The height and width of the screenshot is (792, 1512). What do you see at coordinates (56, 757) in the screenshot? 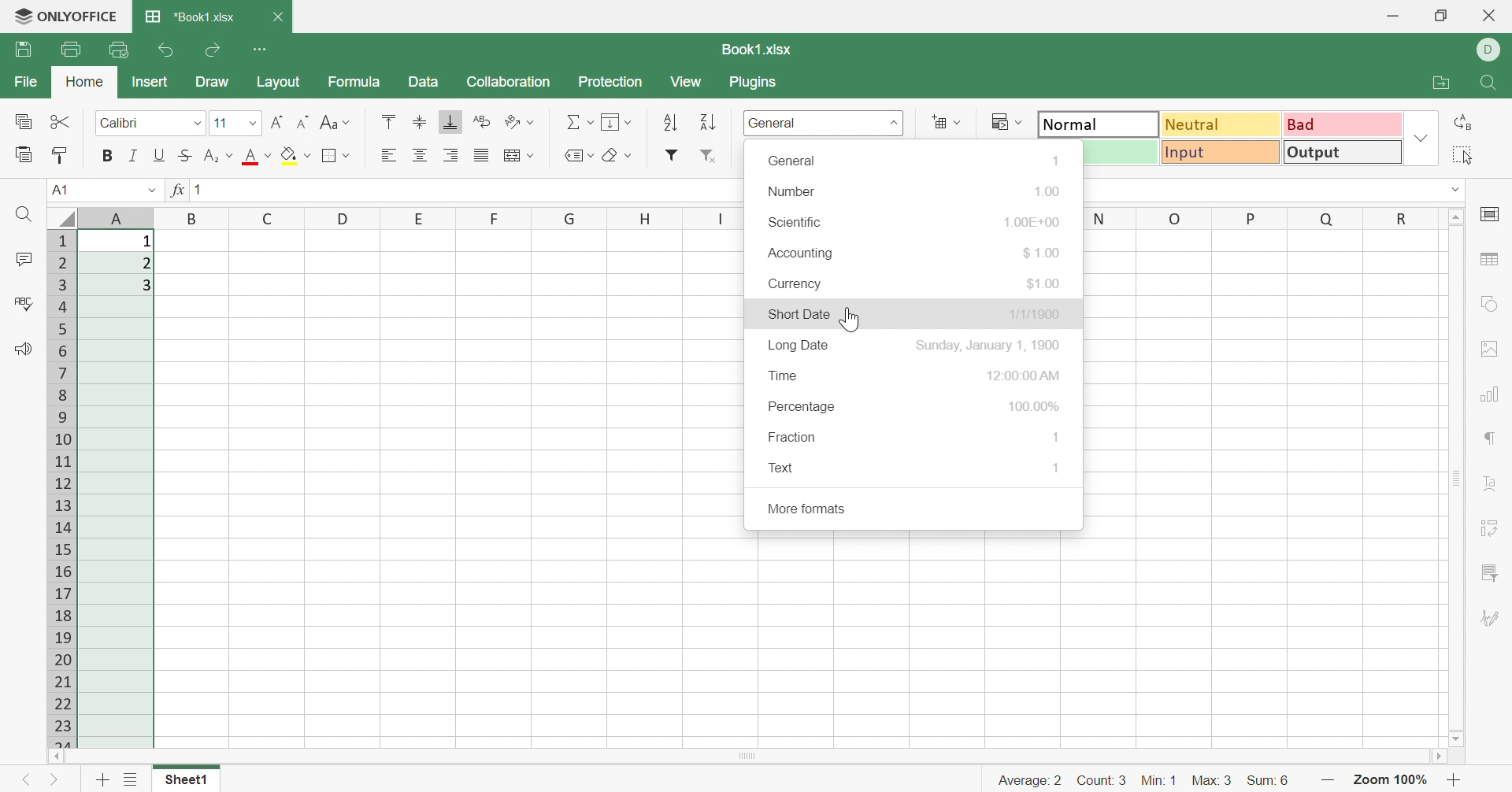
I see `Scroll left` at bounding box center [56, 757].